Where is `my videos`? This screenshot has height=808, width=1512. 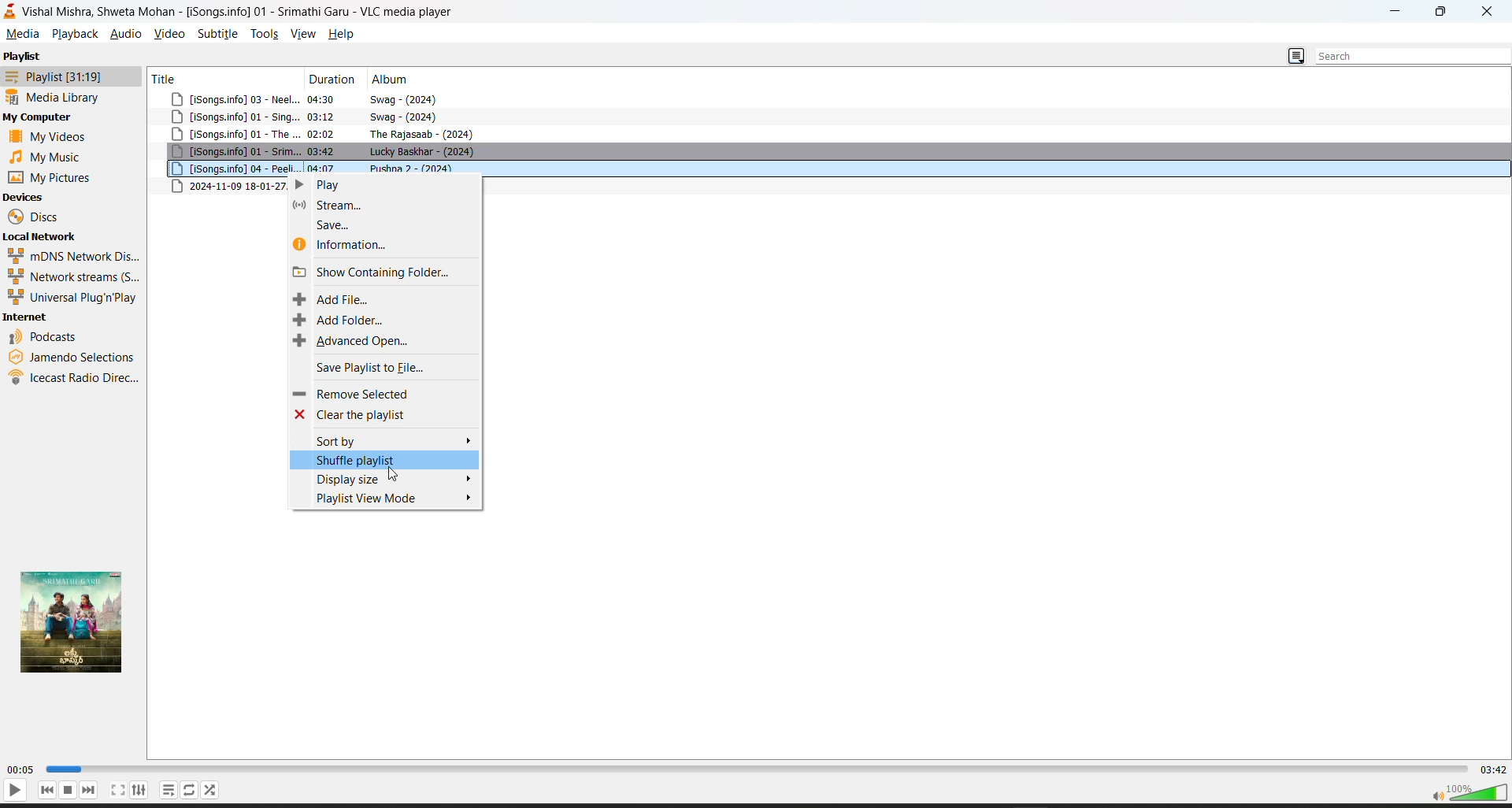 my videos is located at coordinates (50, 137).